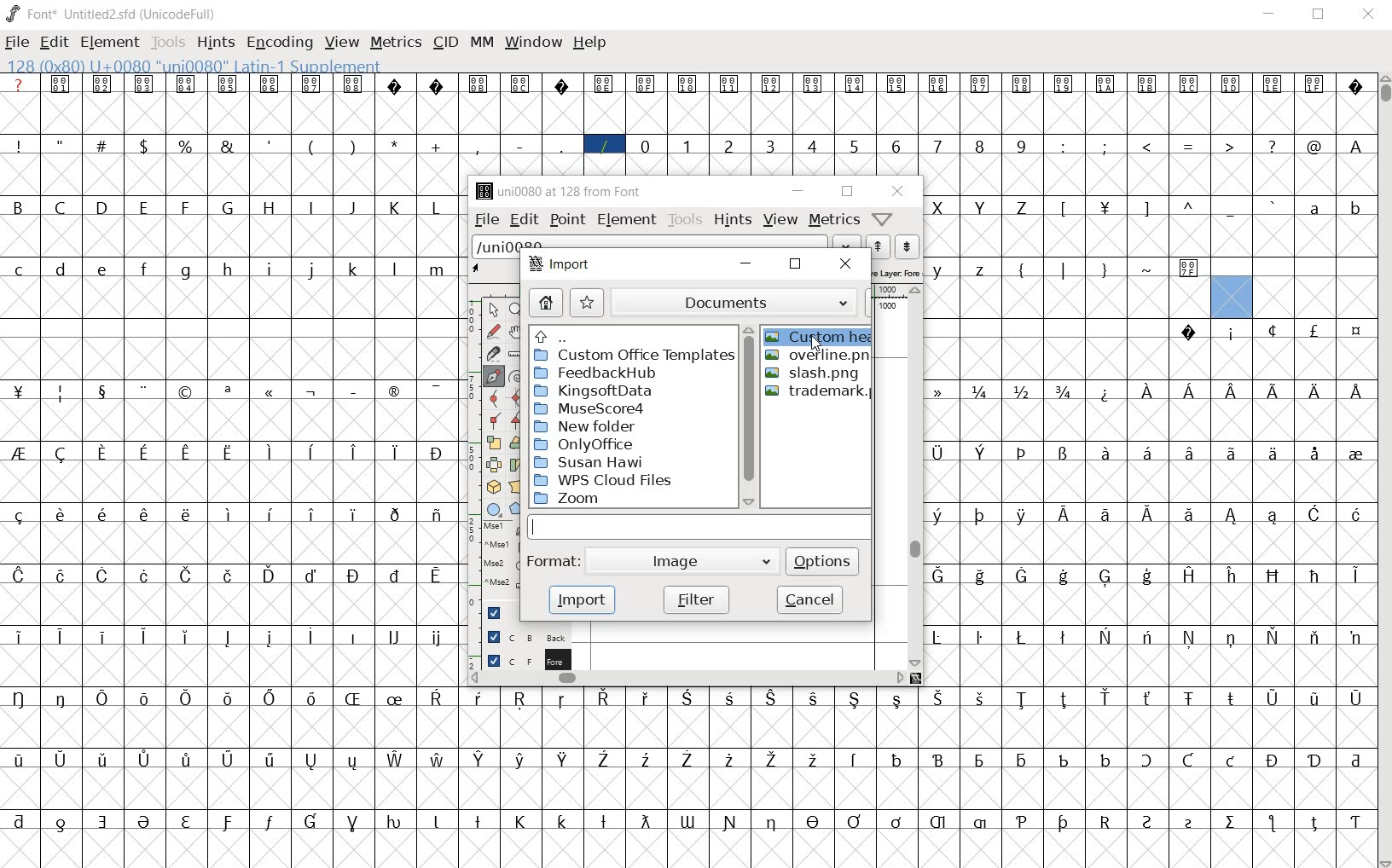 The image size is (1392, 868). What do you see at coordinates (603, 84) in the screenshot?
I see `glyph` at bounding box center [603, 84].